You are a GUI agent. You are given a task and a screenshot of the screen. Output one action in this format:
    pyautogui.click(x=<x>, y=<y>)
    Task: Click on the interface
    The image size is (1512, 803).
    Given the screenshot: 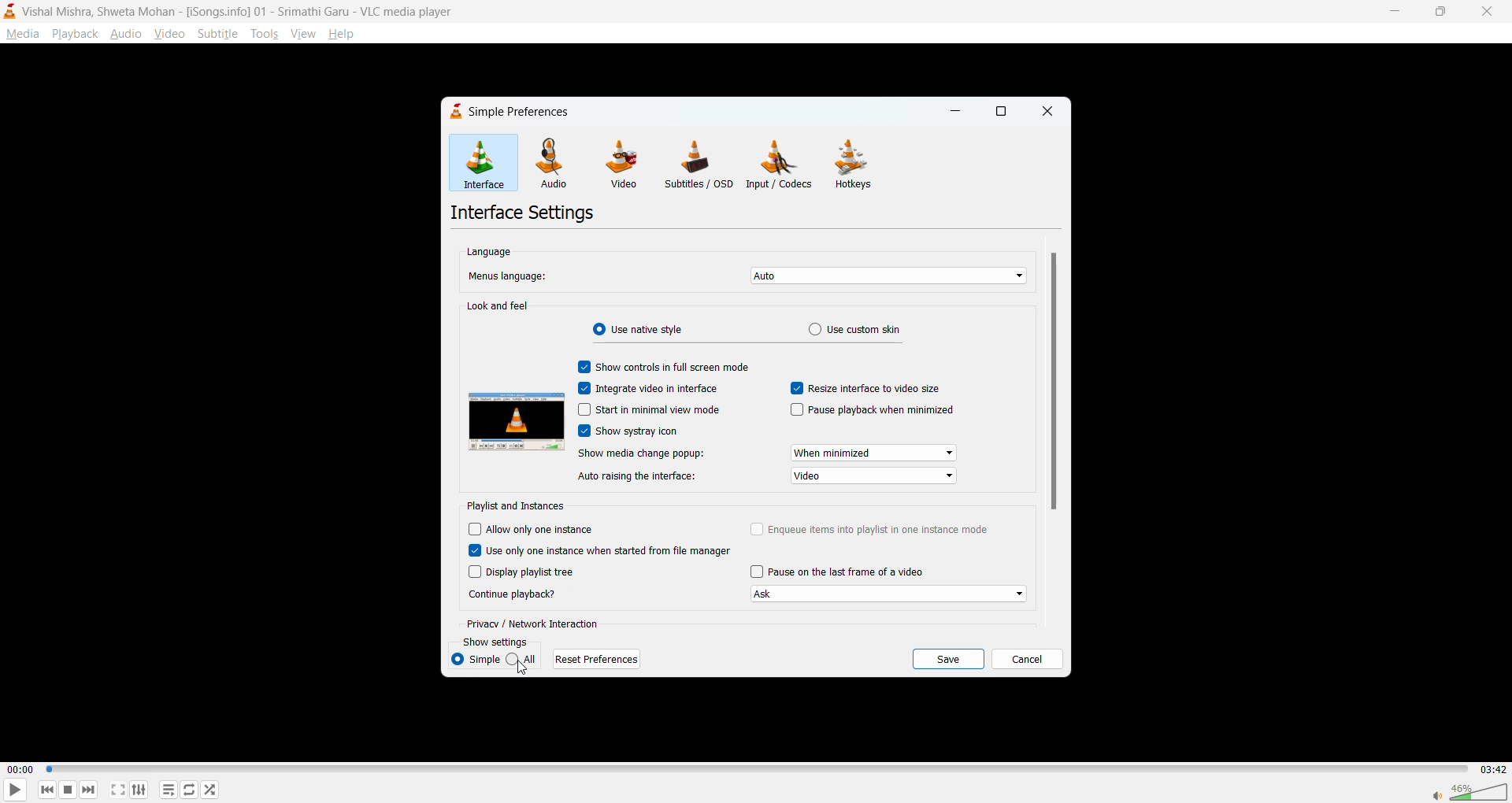 What is the action you would take?
    pyautogui.click(x=491, y=165)
    